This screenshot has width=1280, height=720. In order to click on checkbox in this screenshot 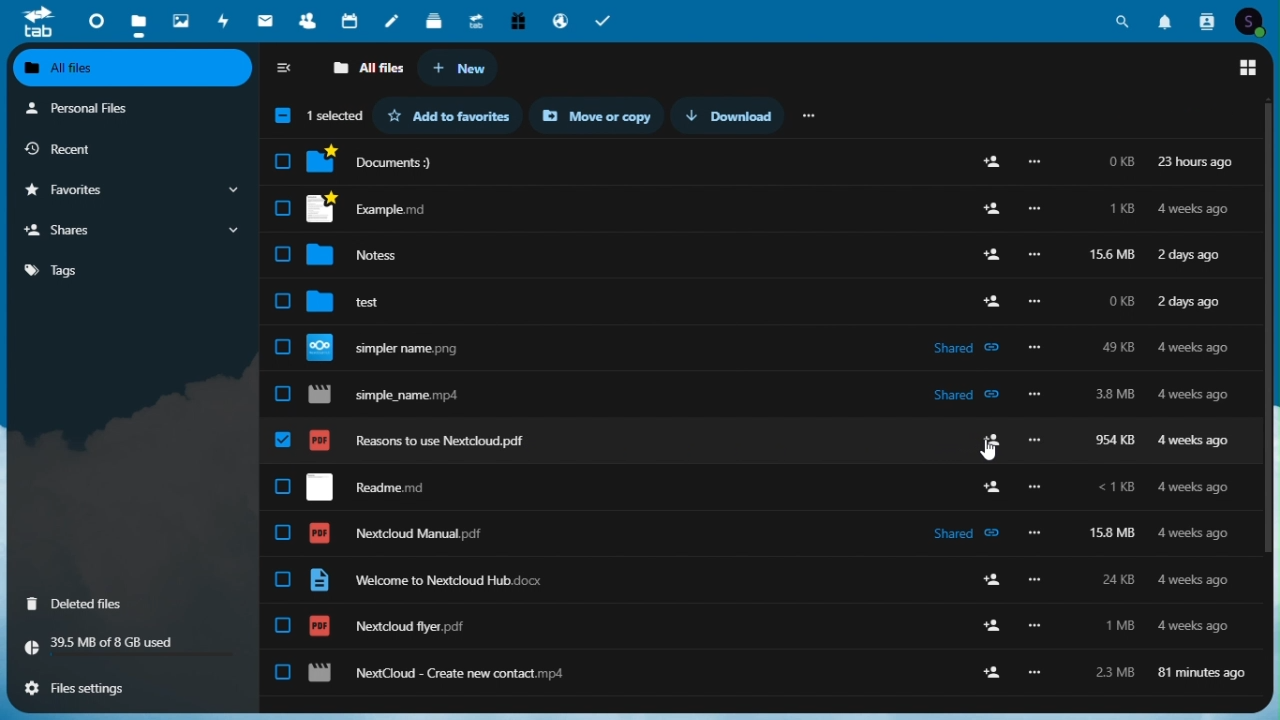, I will do `click(284, 488)`.